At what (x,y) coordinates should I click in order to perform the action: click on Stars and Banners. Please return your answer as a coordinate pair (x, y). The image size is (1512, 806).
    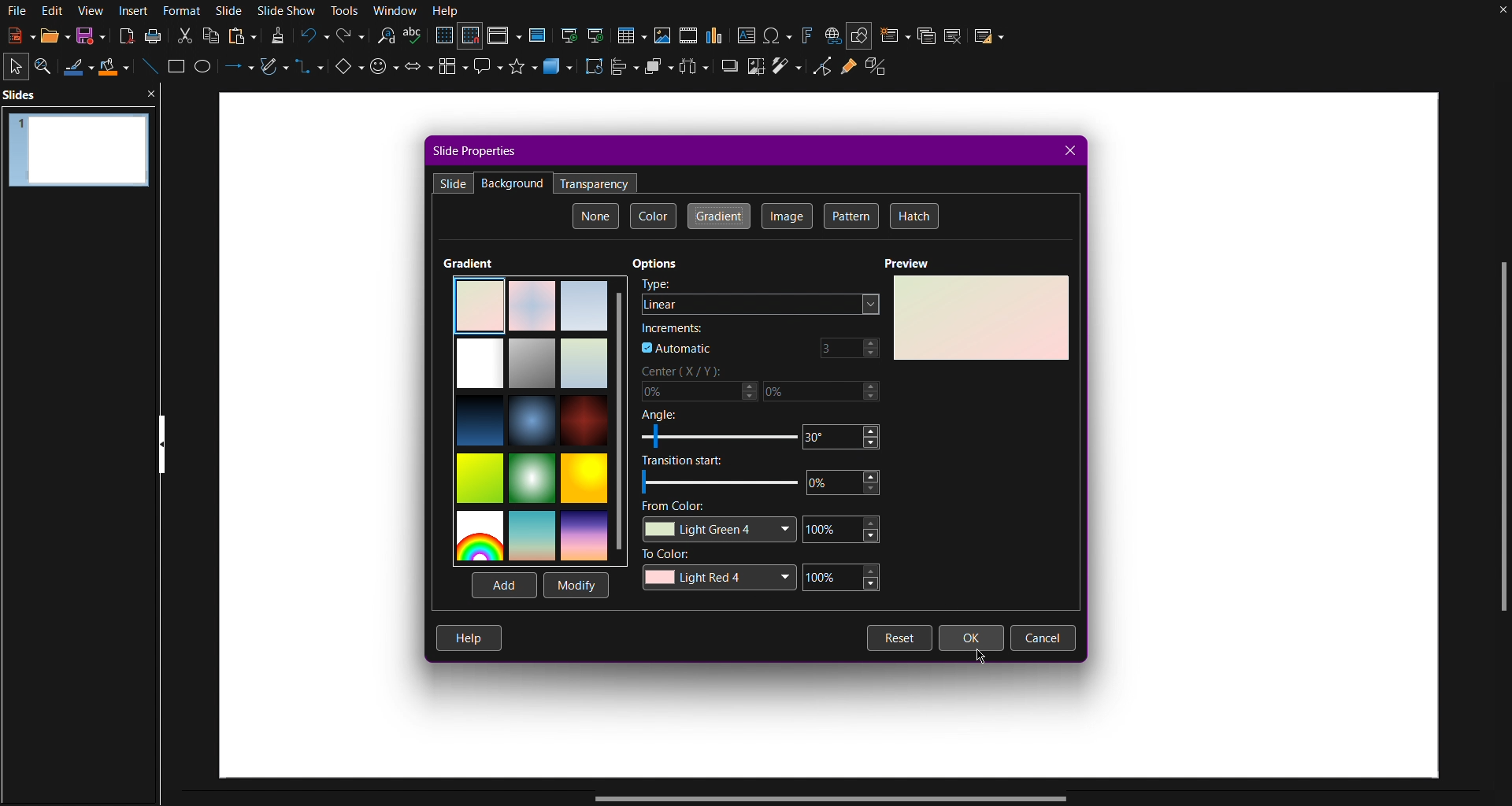
    Looking at the image, I should click on (524, 72).